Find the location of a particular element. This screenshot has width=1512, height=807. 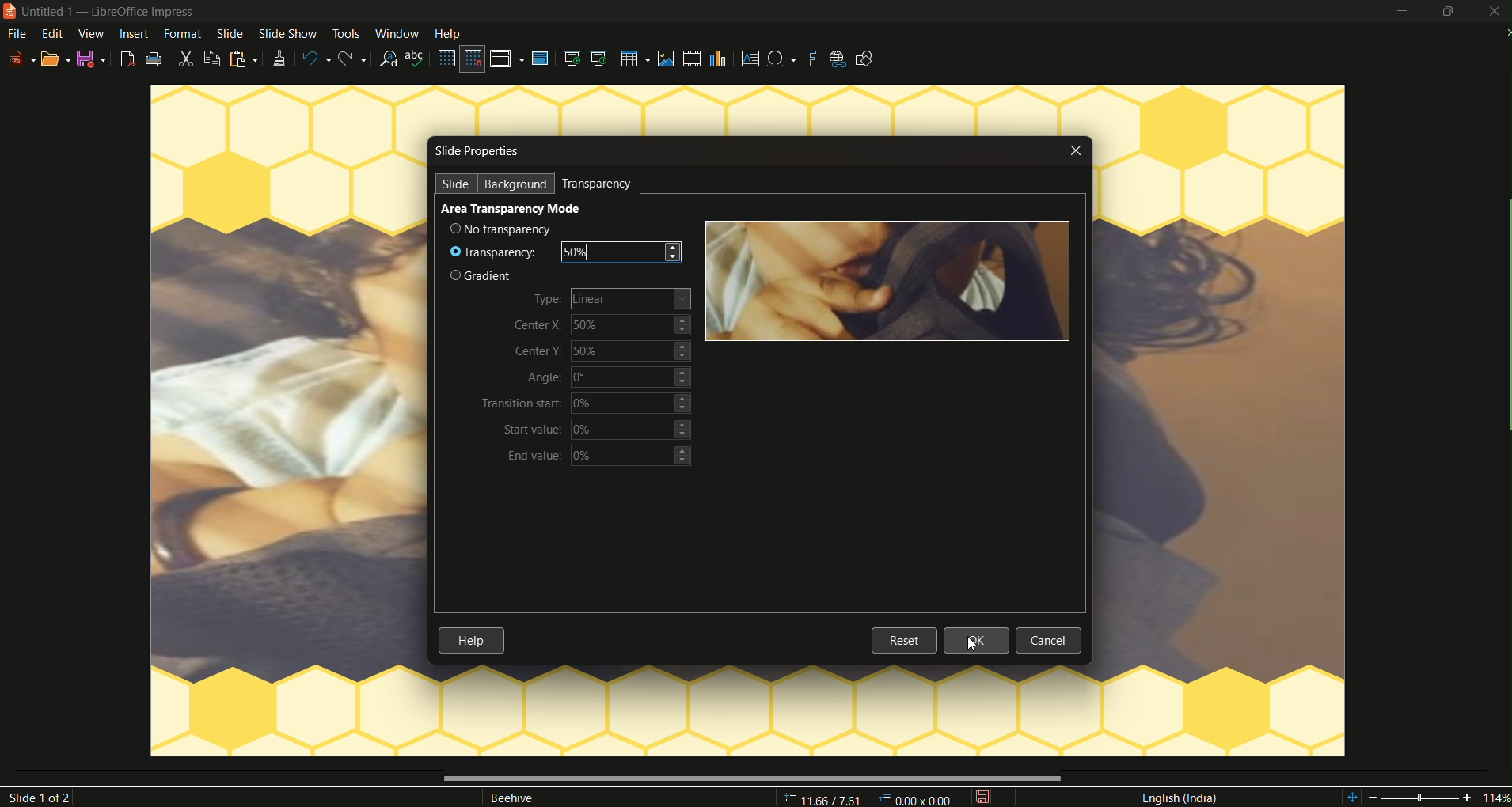

center Y is located at coordinates (541, 350).